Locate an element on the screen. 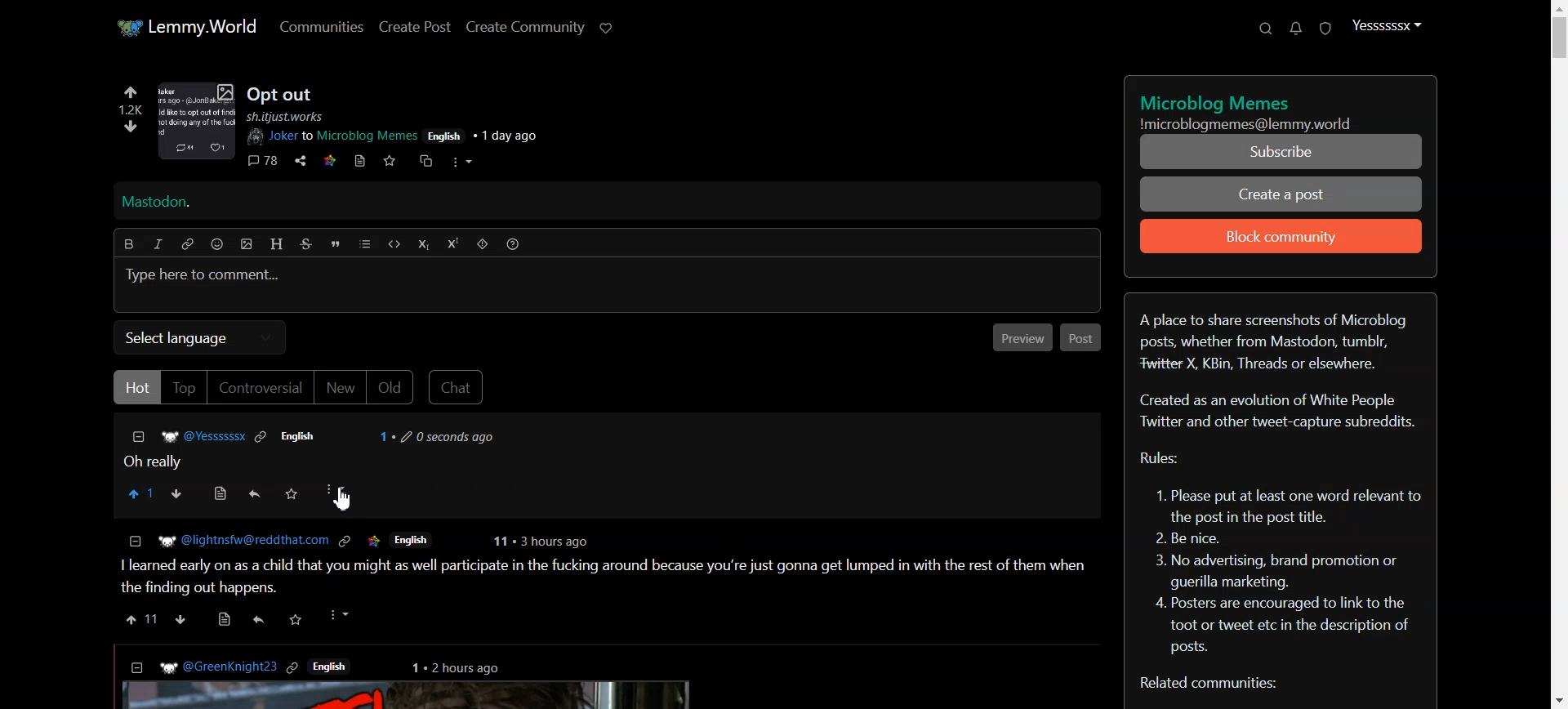  Superscript is located at coordinates (453, 244).